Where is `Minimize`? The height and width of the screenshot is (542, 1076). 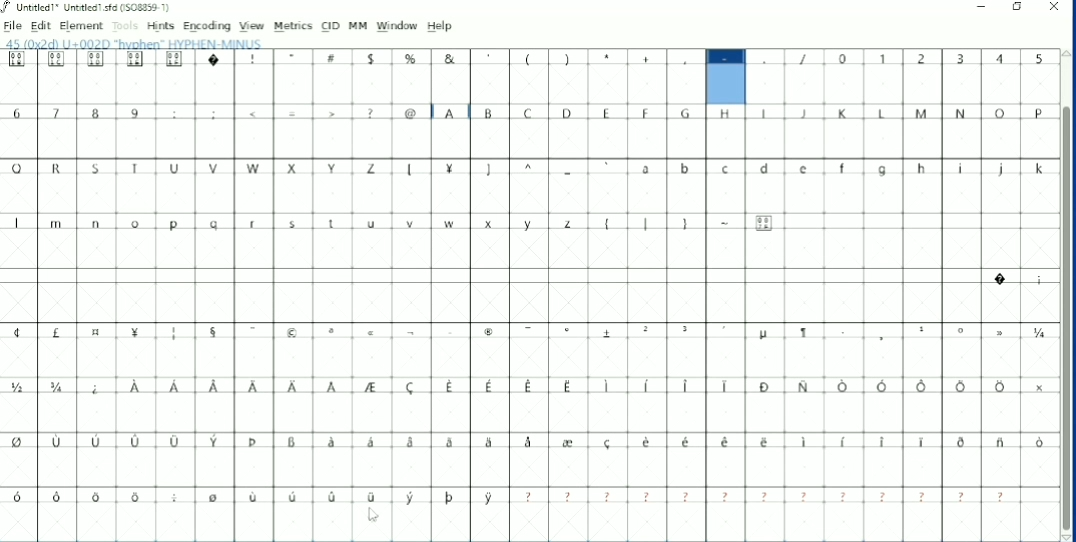
Minimize is located at coordinates (983, 8).